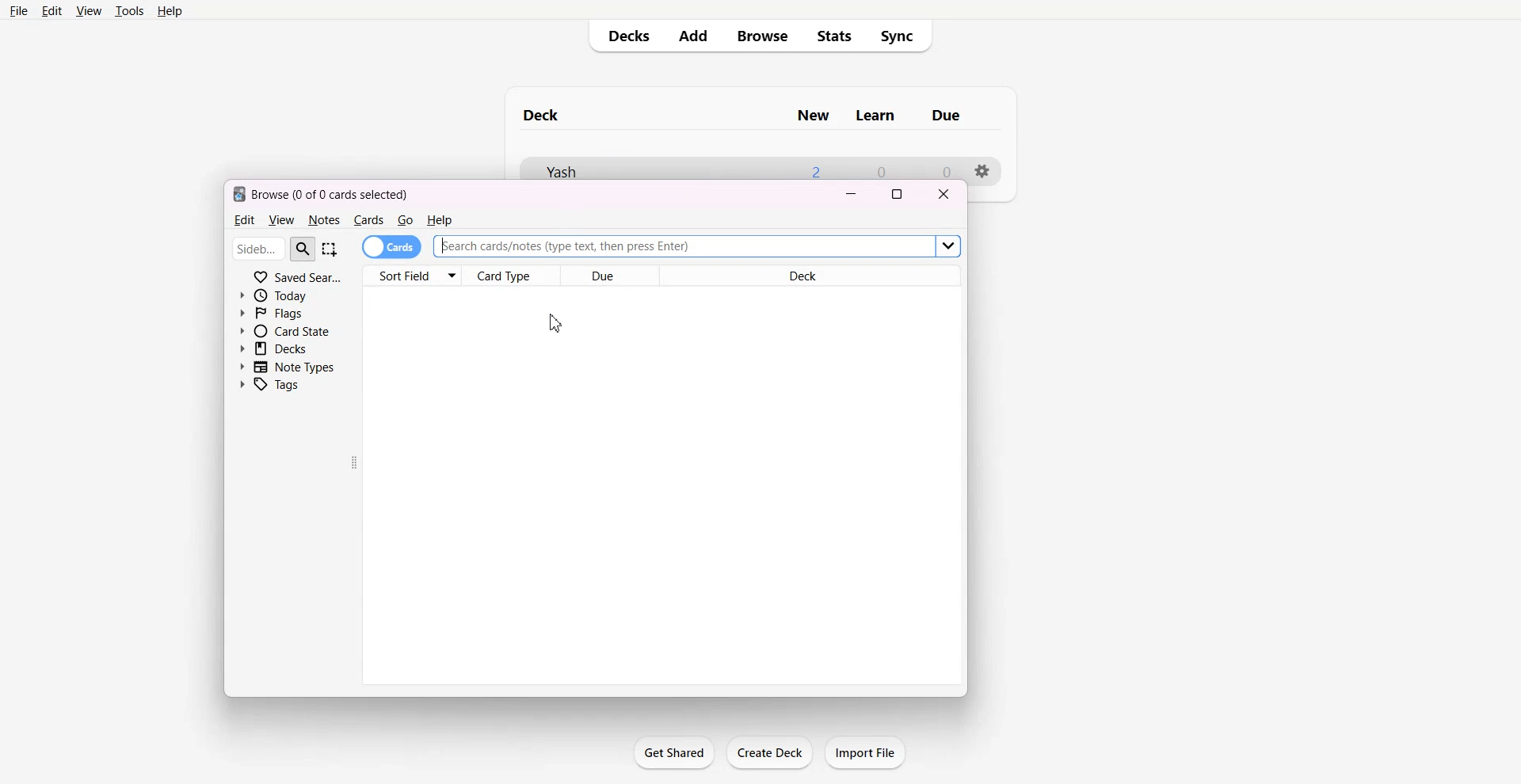 The height and width of the screenshot is (784, 1521). What do you see at coordinates (554, 113) in the screenshot?
I see `deck` at bounding box center [554, 113].